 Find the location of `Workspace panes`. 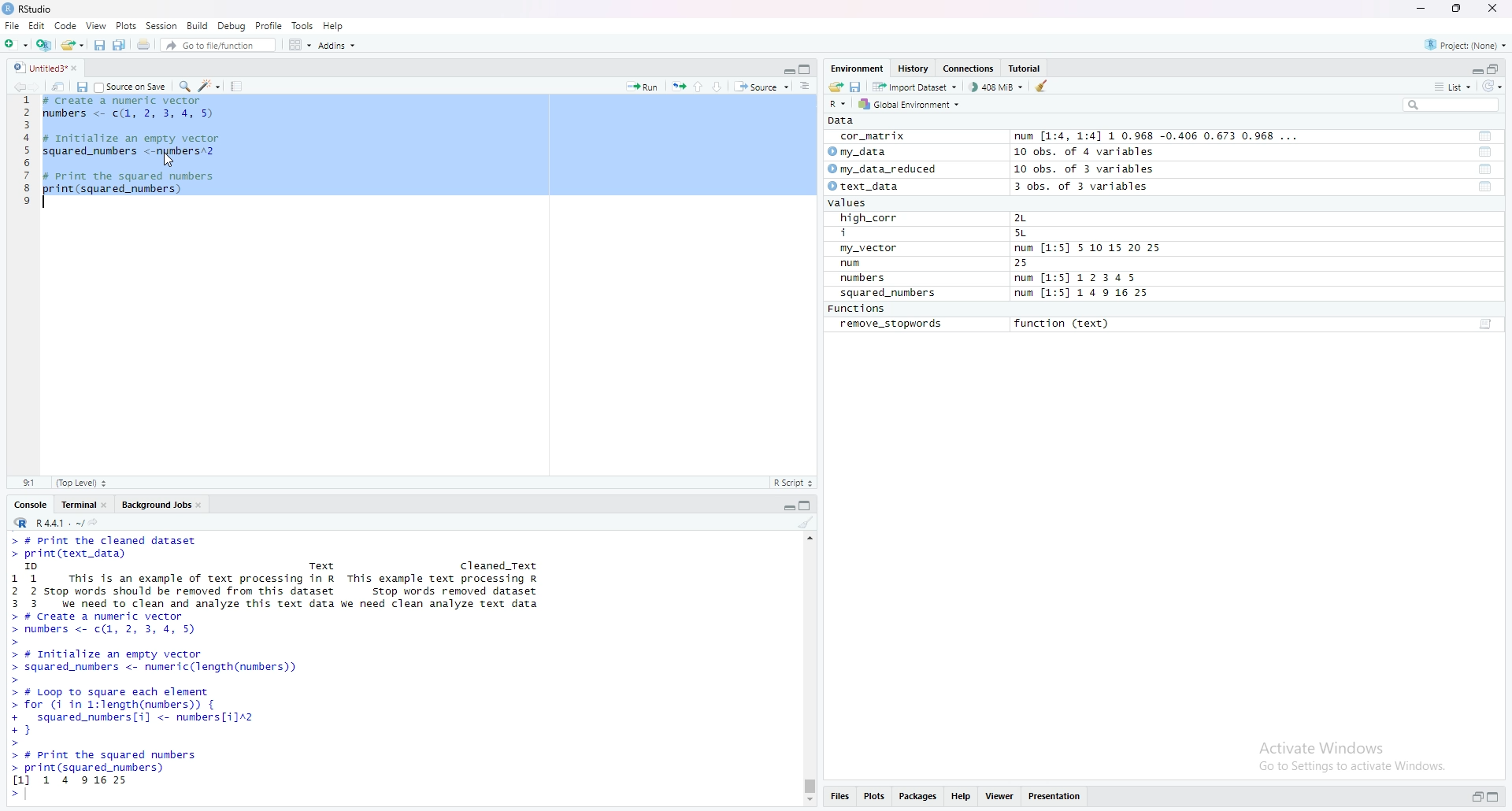

Workspace panes is located at coordinates (298, 44).